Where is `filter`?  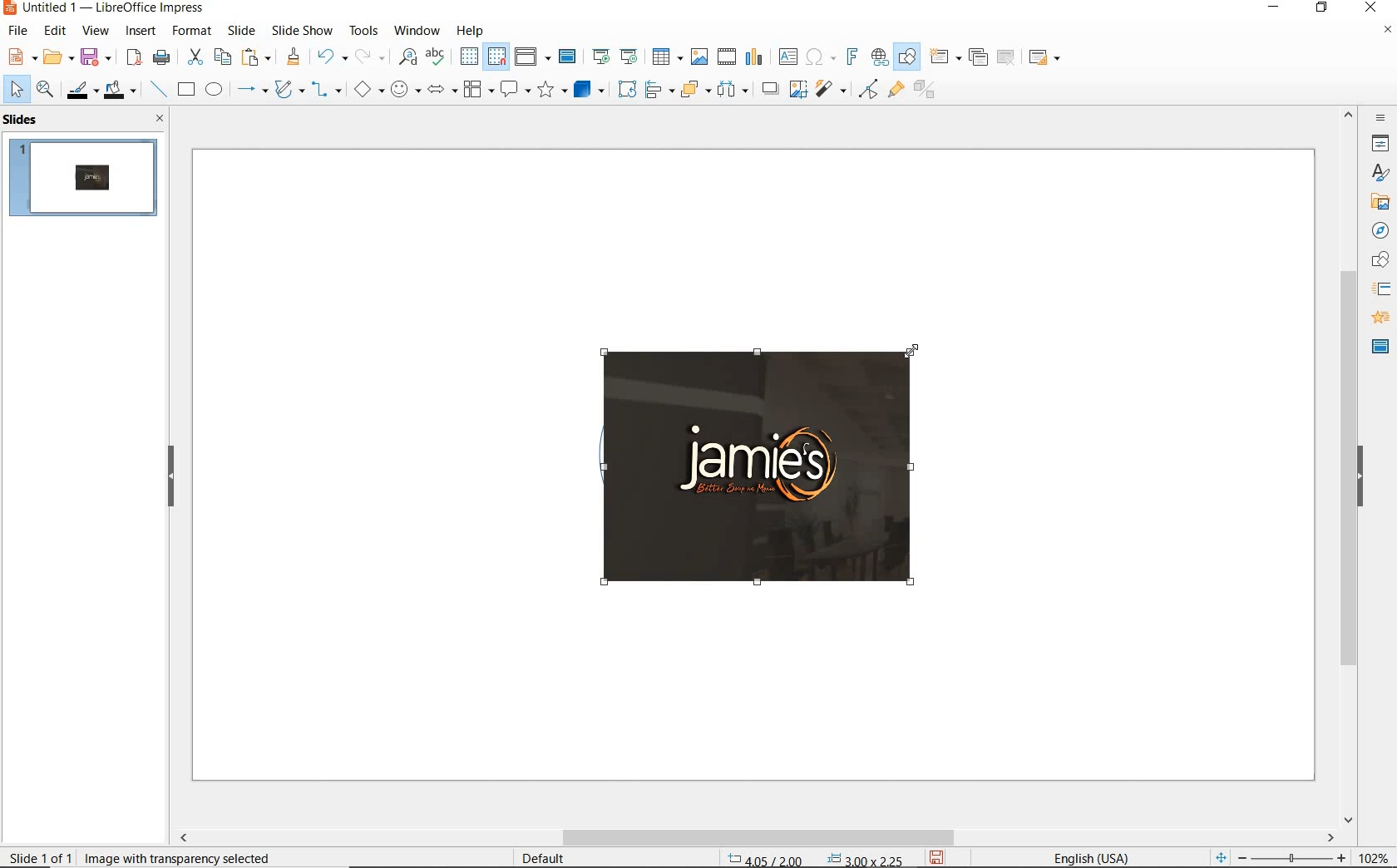 filter is located at coordinates (832, 86).